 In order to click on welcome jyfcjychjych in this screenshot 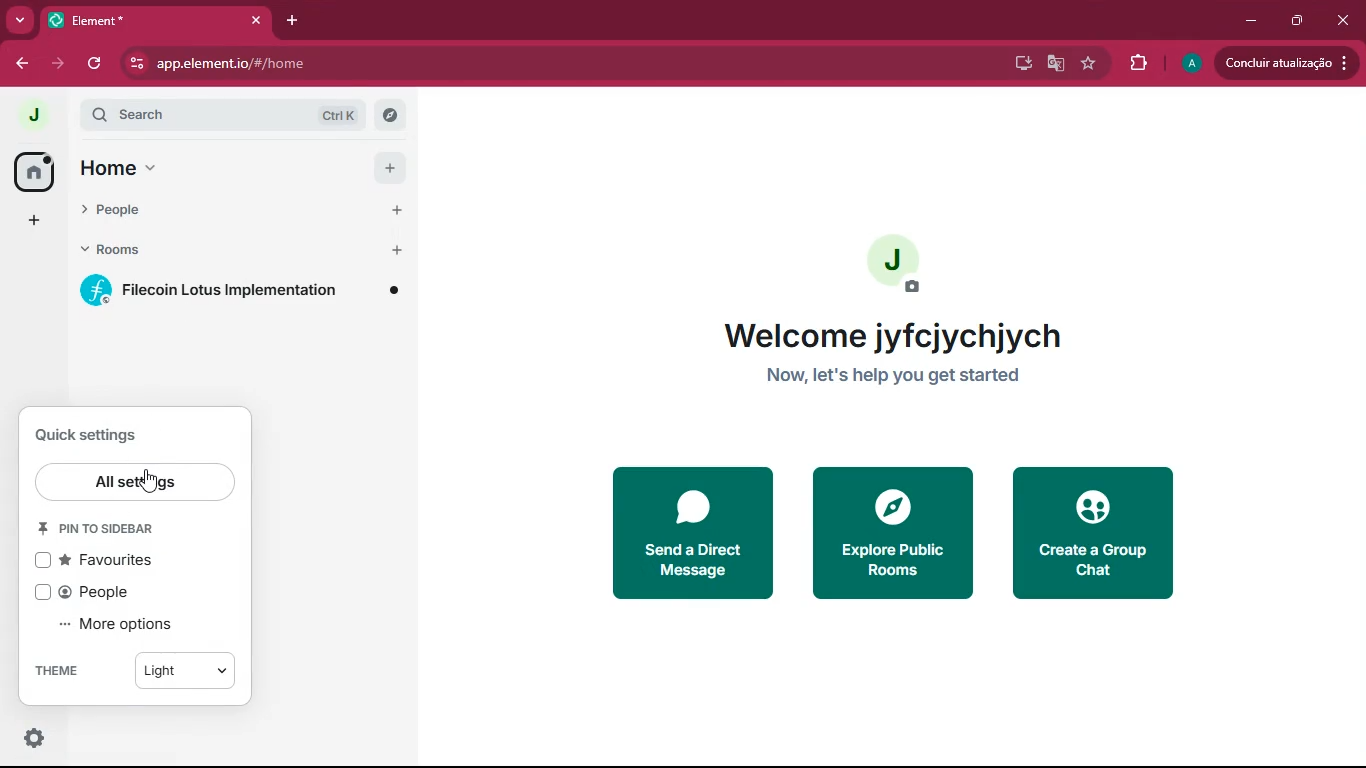, I will do `click(898, 340)`.